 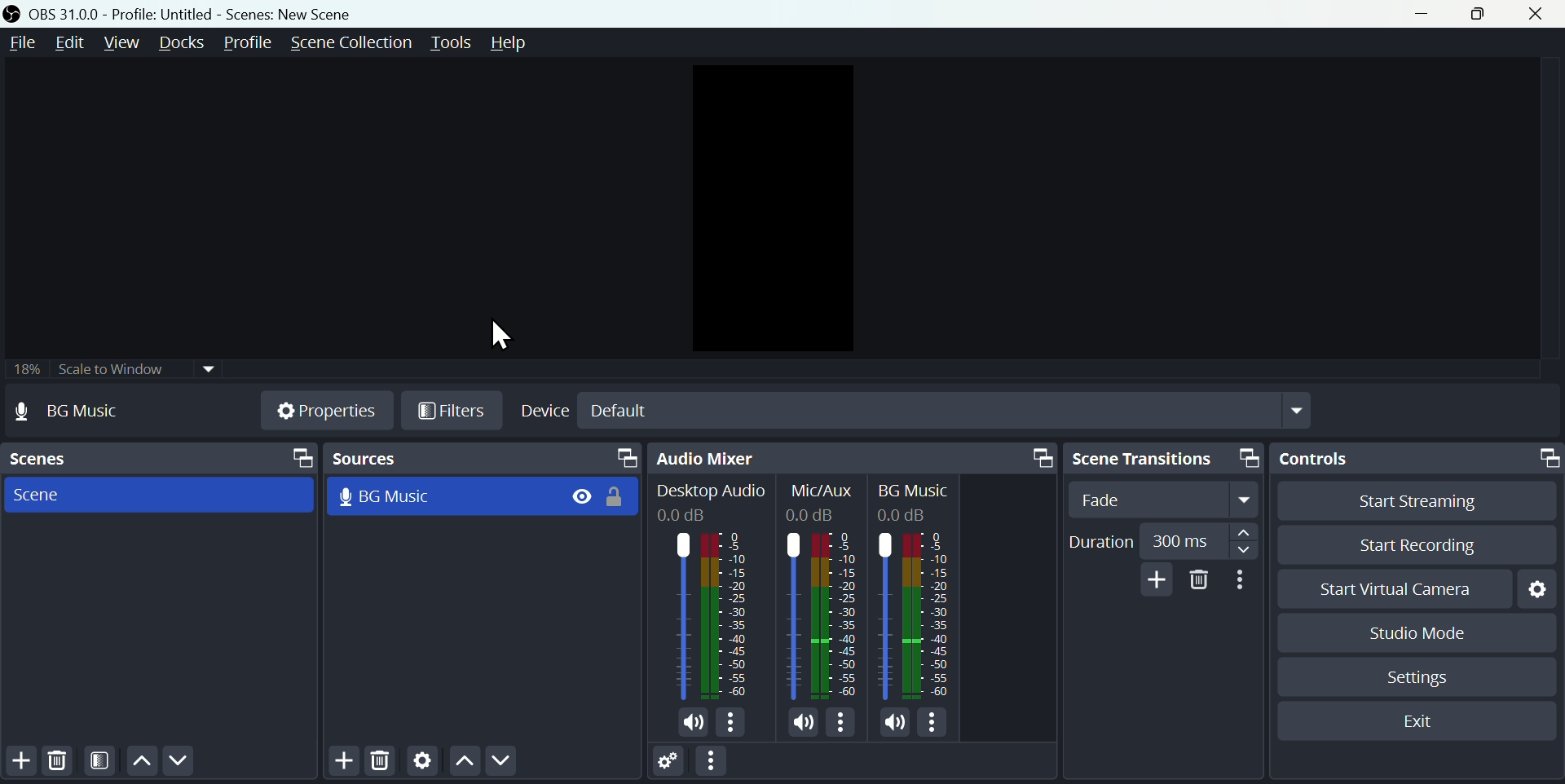 I want to click on More options, so click(x=1243, y=580).